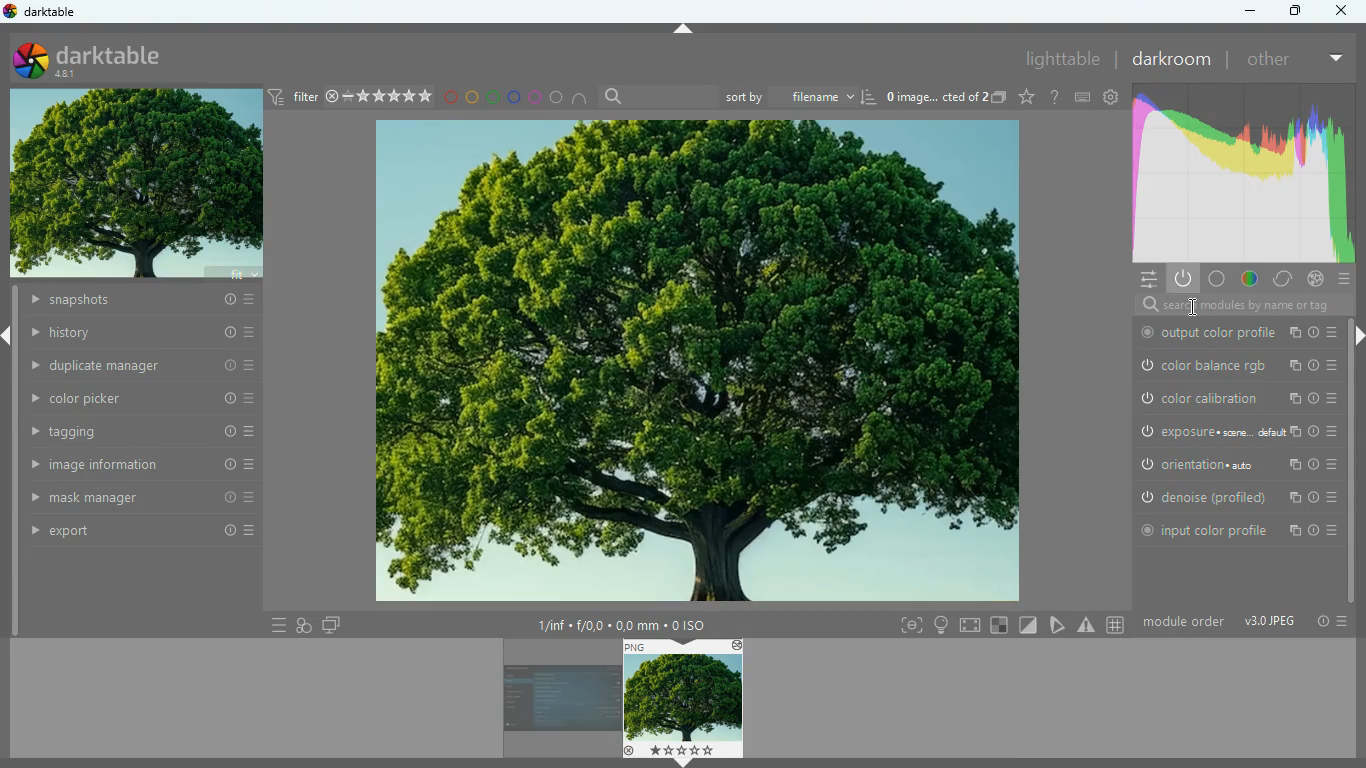  I want to click on image details, so click(621, 621).